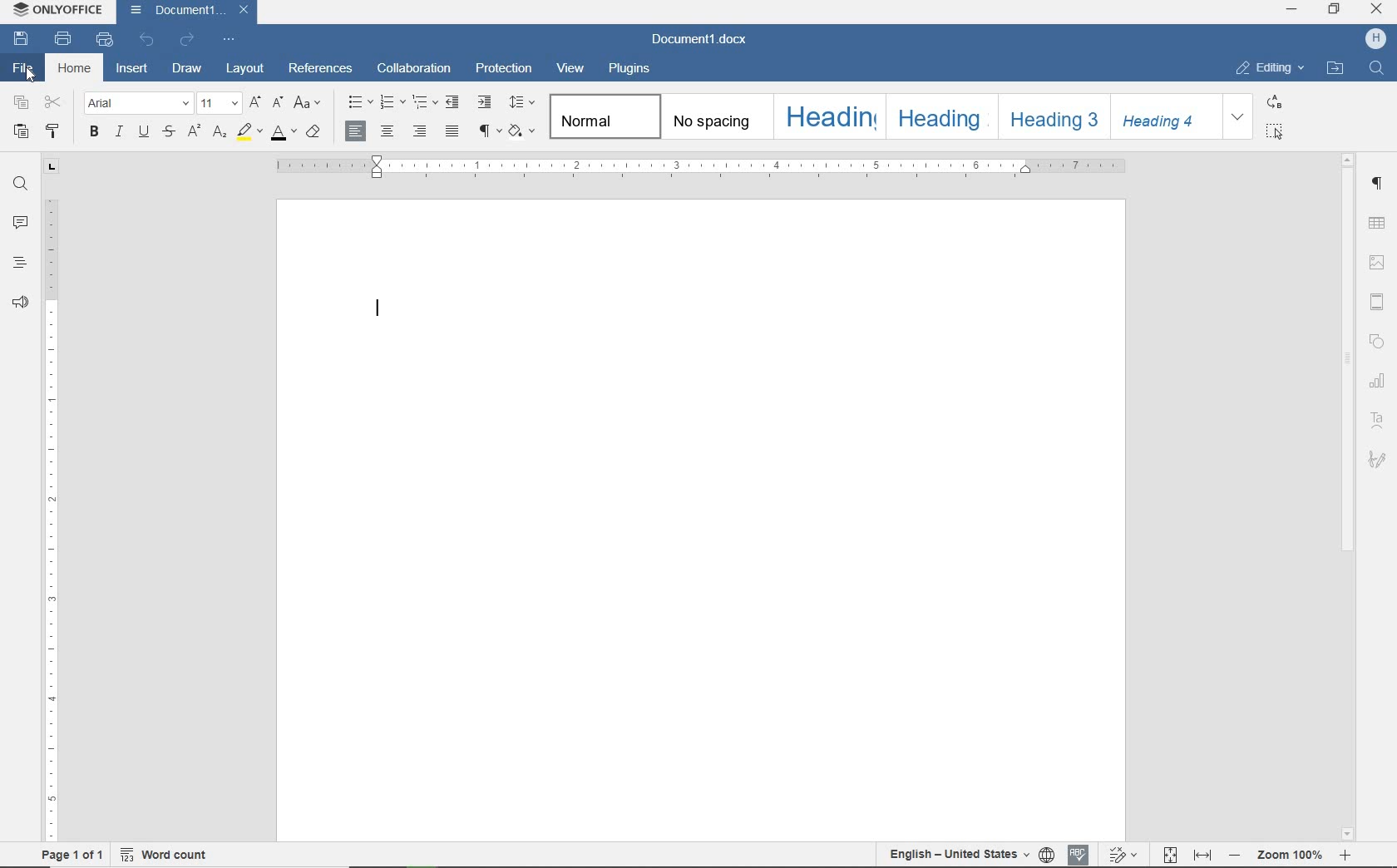 The width and height of the screenshot is (1397, 868). I want to click on track changes, so click(1126, 853).